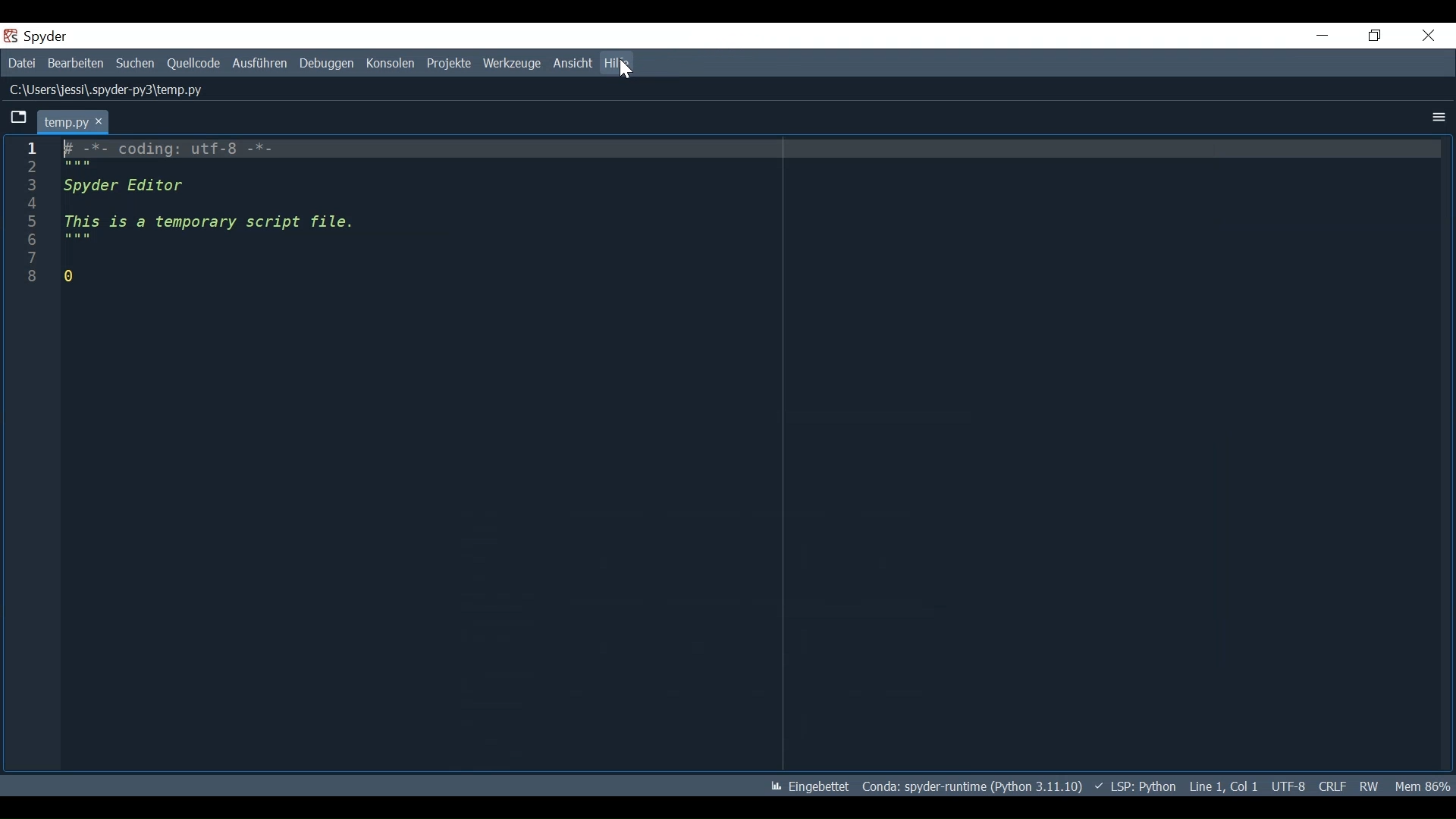 This screenshot has width=1456, height=819. Describe the element at coordinates (973, 786) in the screenshot. I see `Conda Environment Indicator` at that location.